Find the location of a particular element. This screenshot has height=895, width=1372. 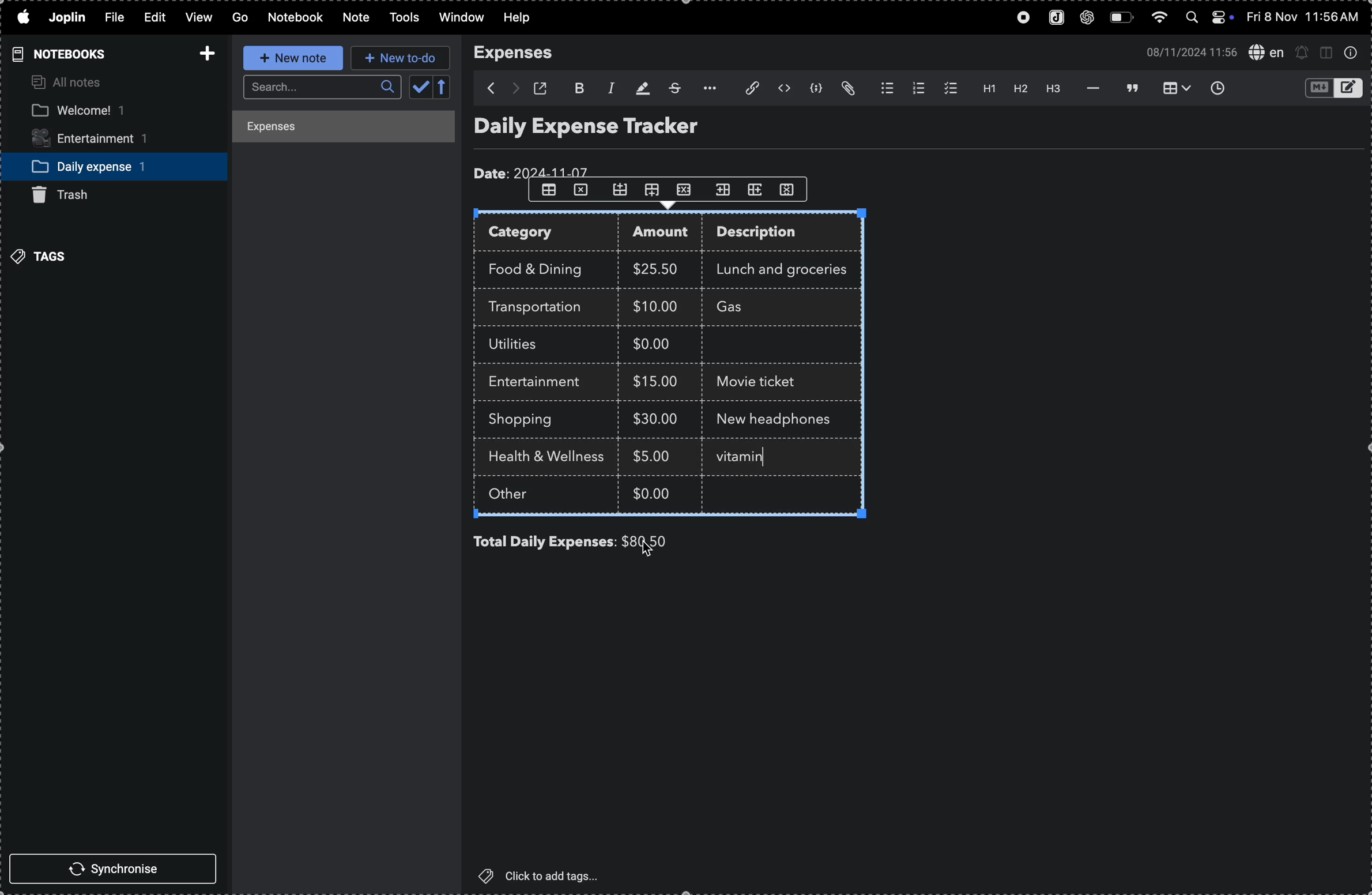

Gas is located at coordinates (751, 308).